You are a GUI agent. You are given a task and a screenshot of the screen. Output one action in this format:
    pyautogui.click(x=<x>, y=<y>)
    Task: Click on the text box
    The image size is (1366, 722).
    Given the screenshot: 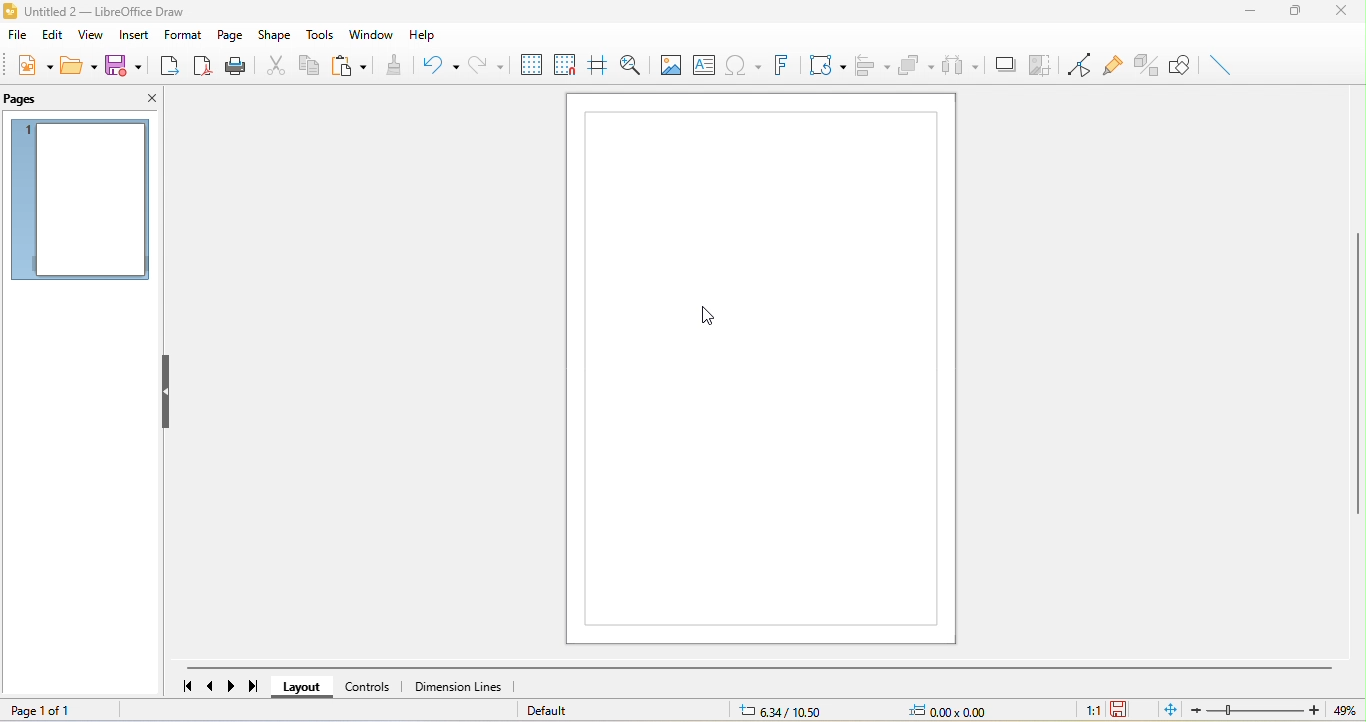 What is the action you would take?
    pyautogui.click(x=704, y=65)
    